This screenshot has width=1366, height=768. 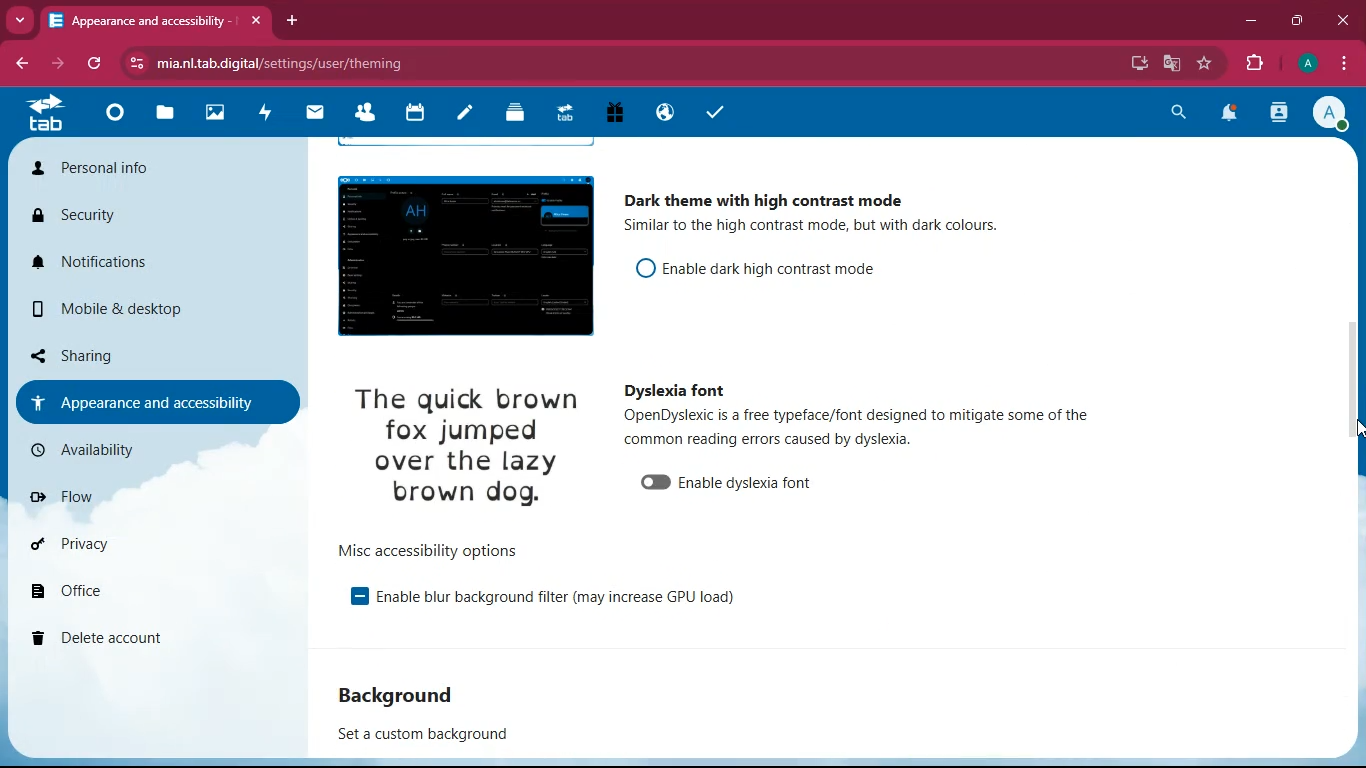 What do you see at coordinates (142, 502) in the screenshot?
I see `flow` at bounding box center [142, 502].